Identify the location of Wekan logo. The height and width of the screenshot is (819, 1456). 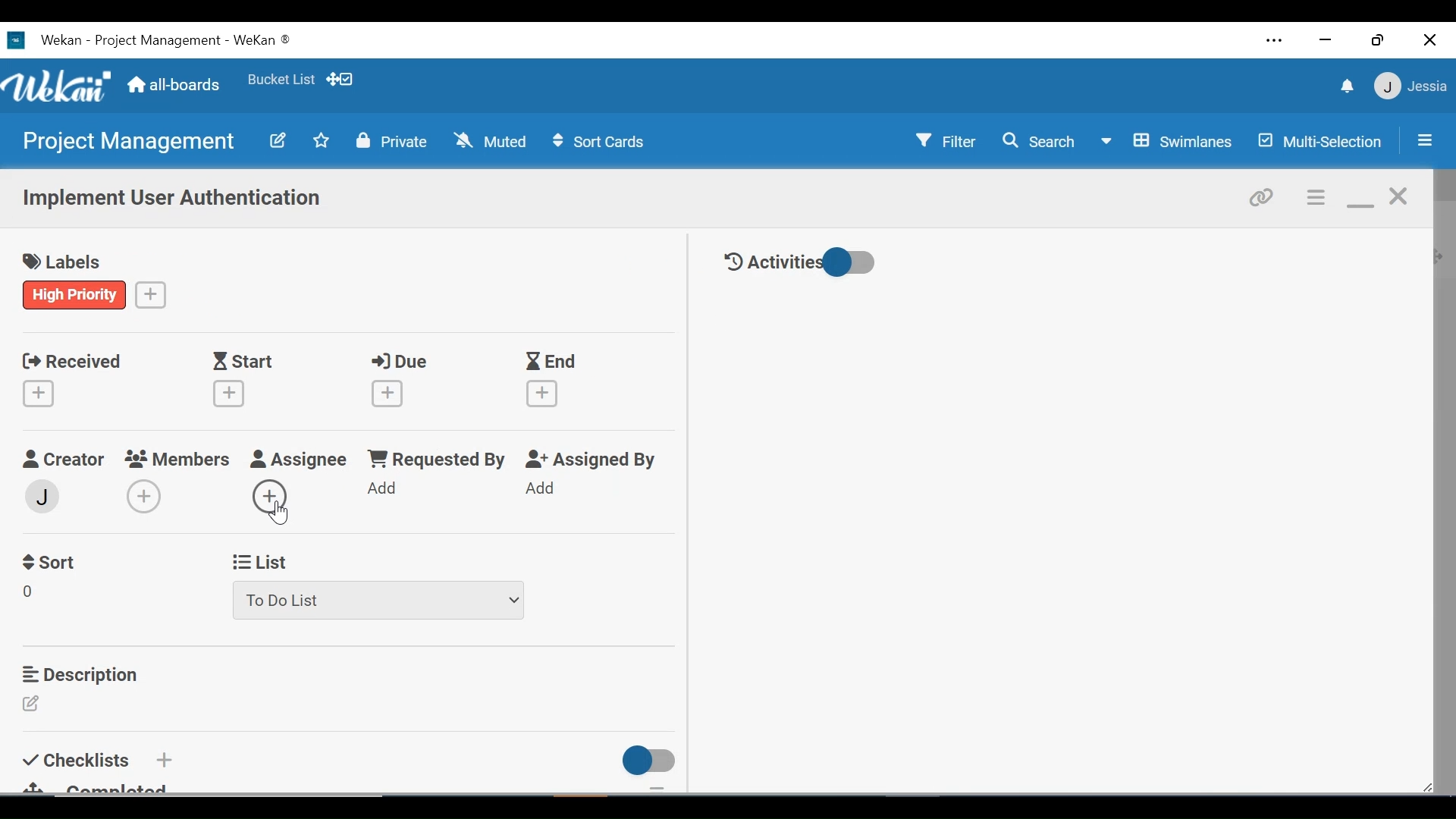
(60, 88).